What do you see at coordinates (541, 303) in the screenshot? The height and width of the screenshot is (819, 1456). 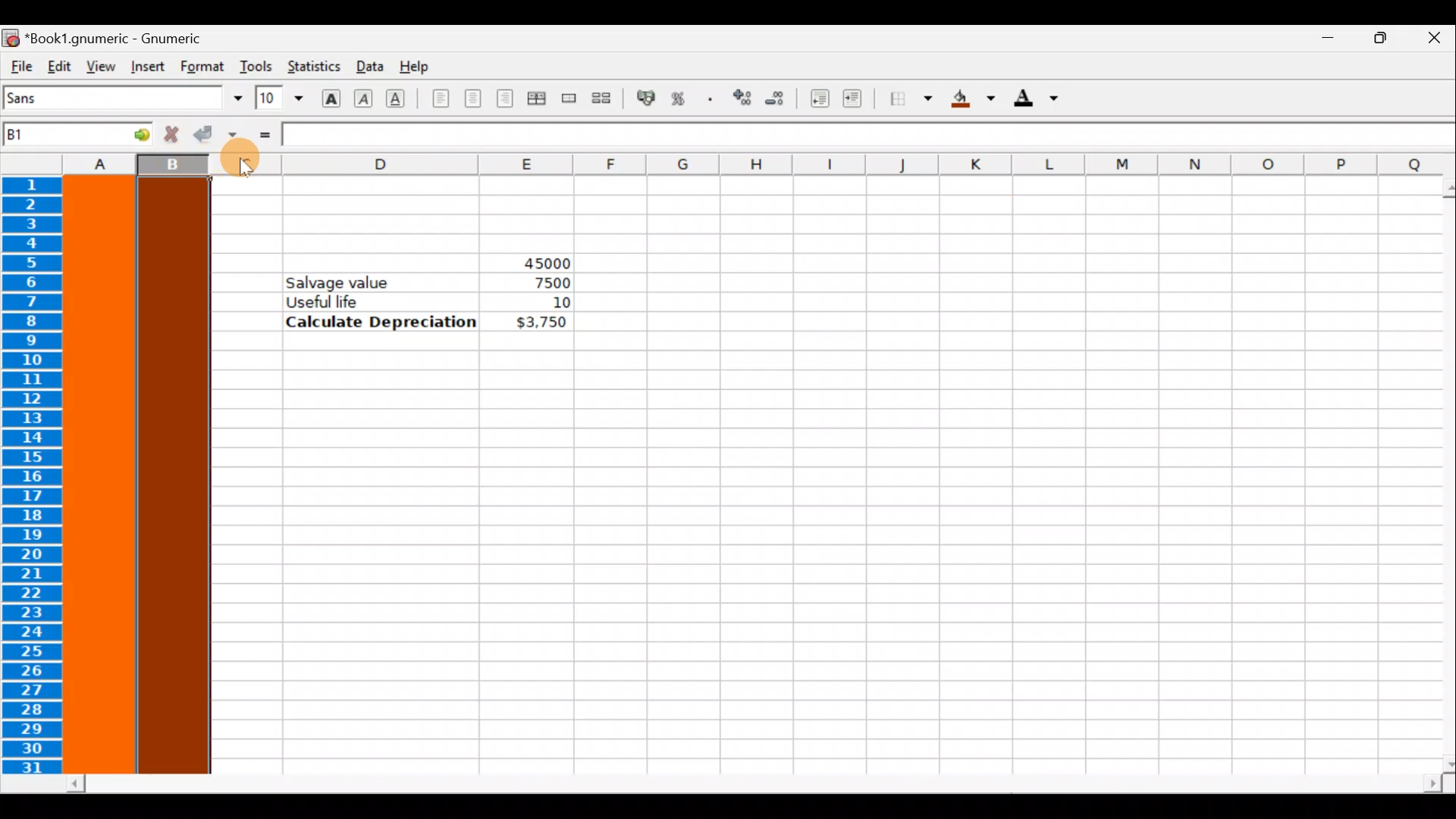 I see `10` at bounding box center [541, 303].